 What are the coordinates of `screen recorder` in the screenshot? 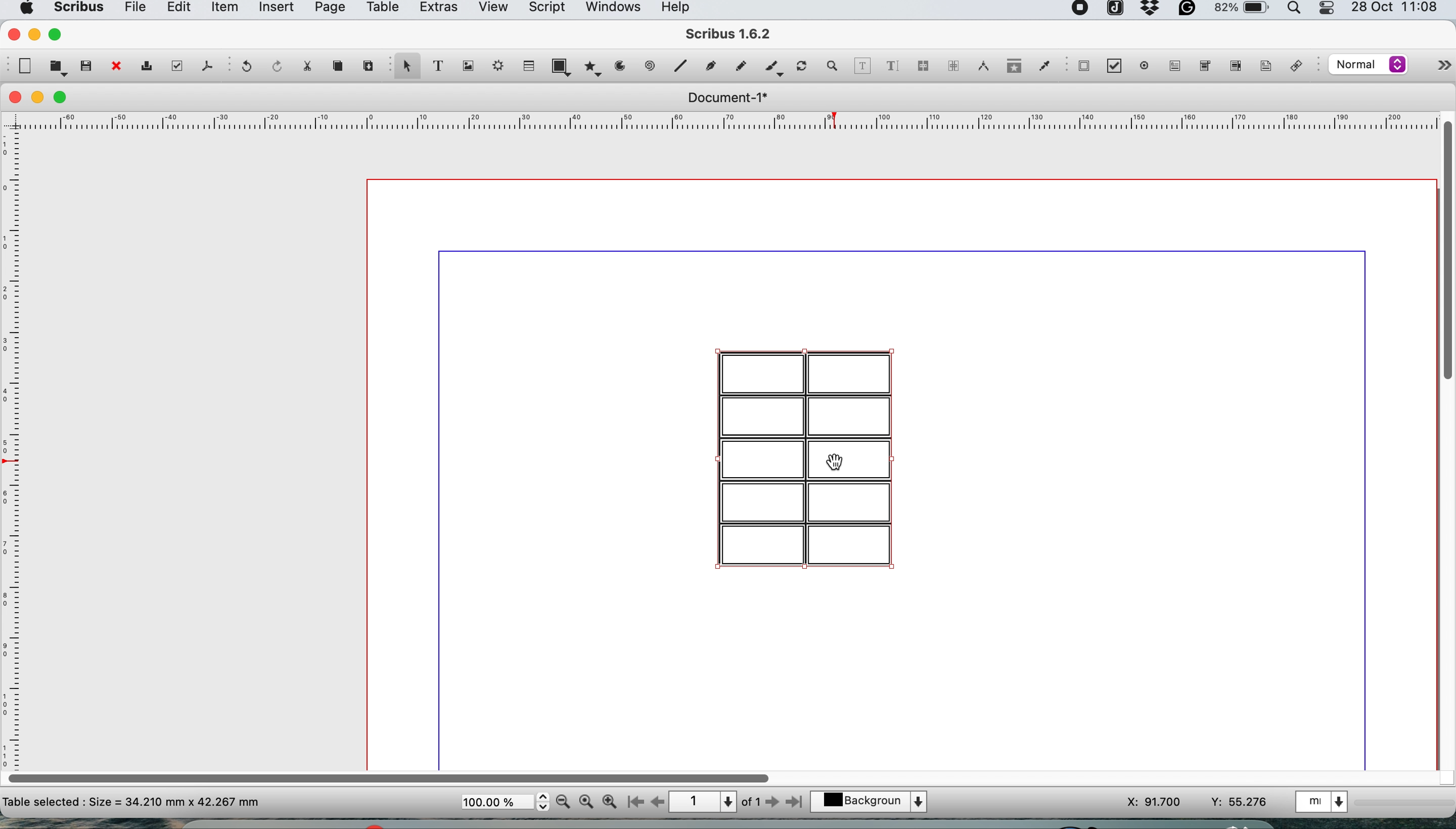 It's located at (1081, 10).